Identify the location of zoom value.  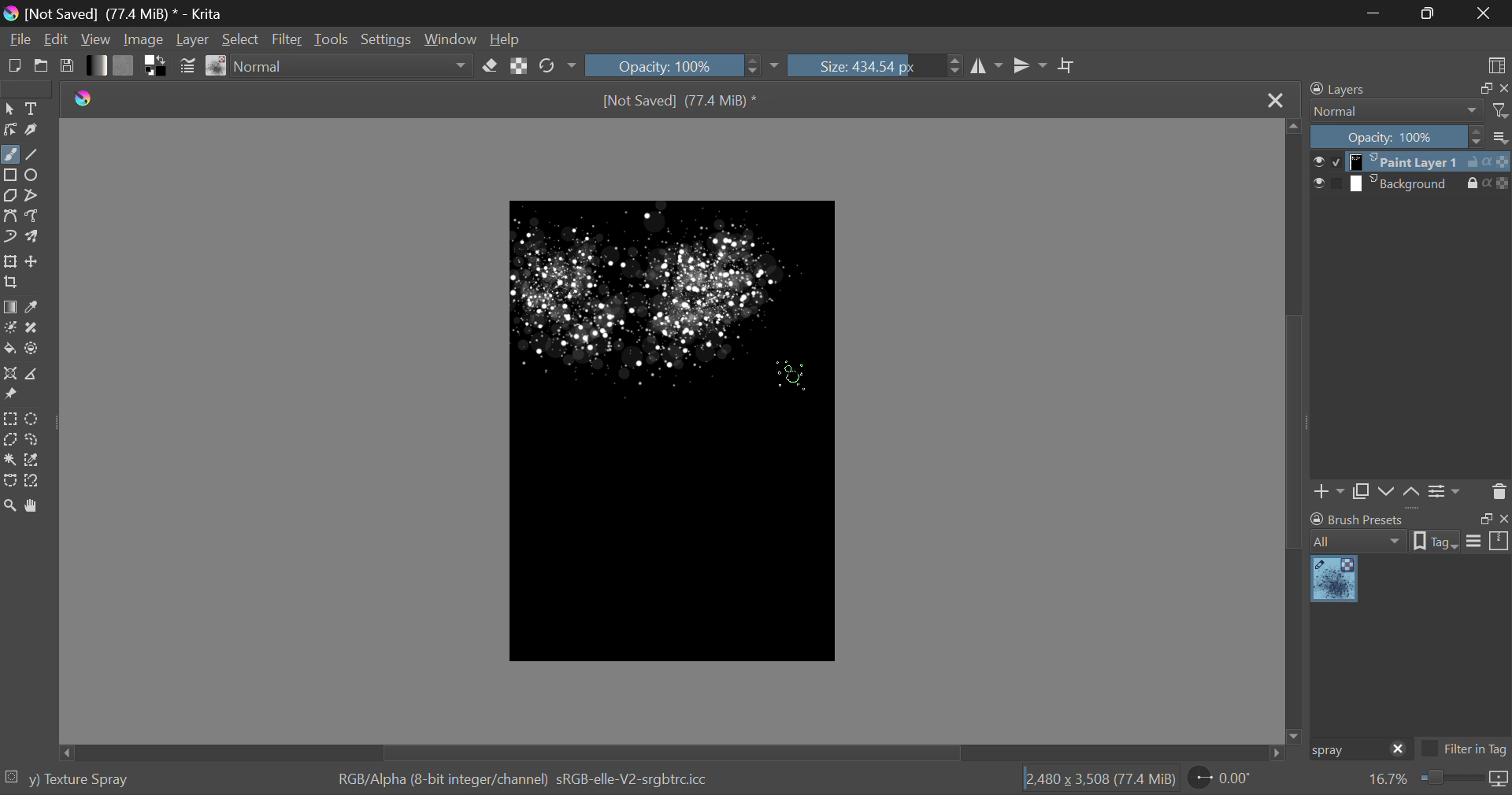
(1388, 780).